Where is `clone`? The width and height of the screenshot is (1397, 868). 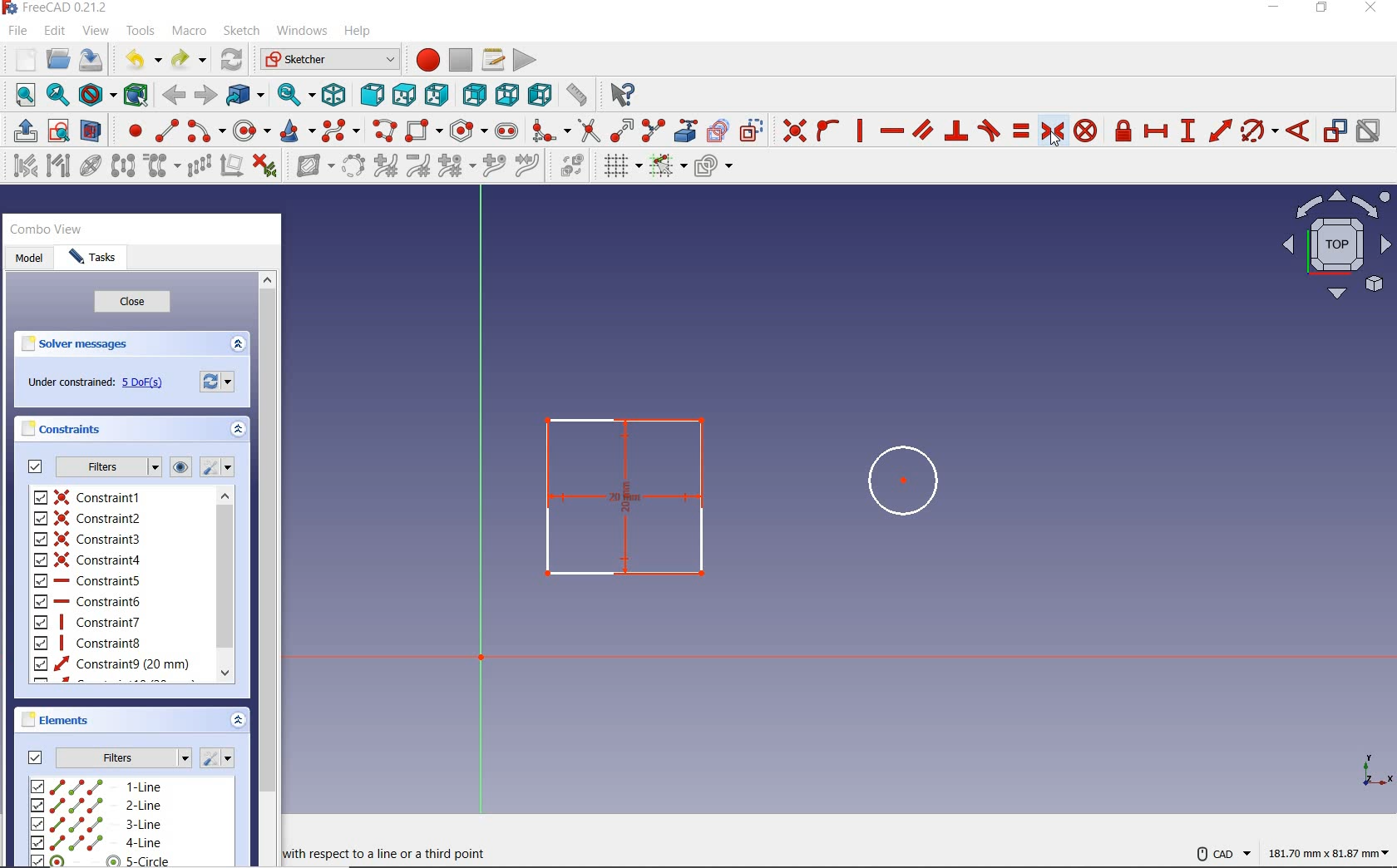
clone is located at coordinates (160, 167).